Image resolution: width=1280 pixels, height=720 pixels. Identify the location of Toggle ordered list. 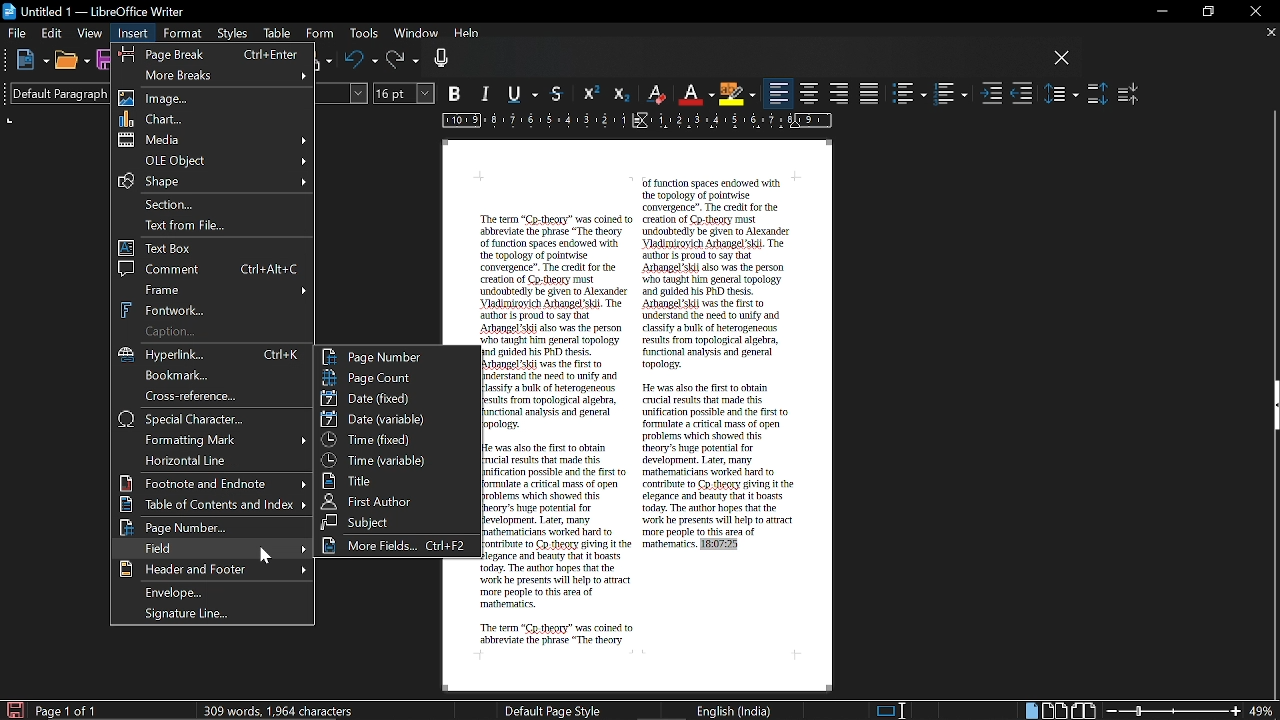
(950, 94).